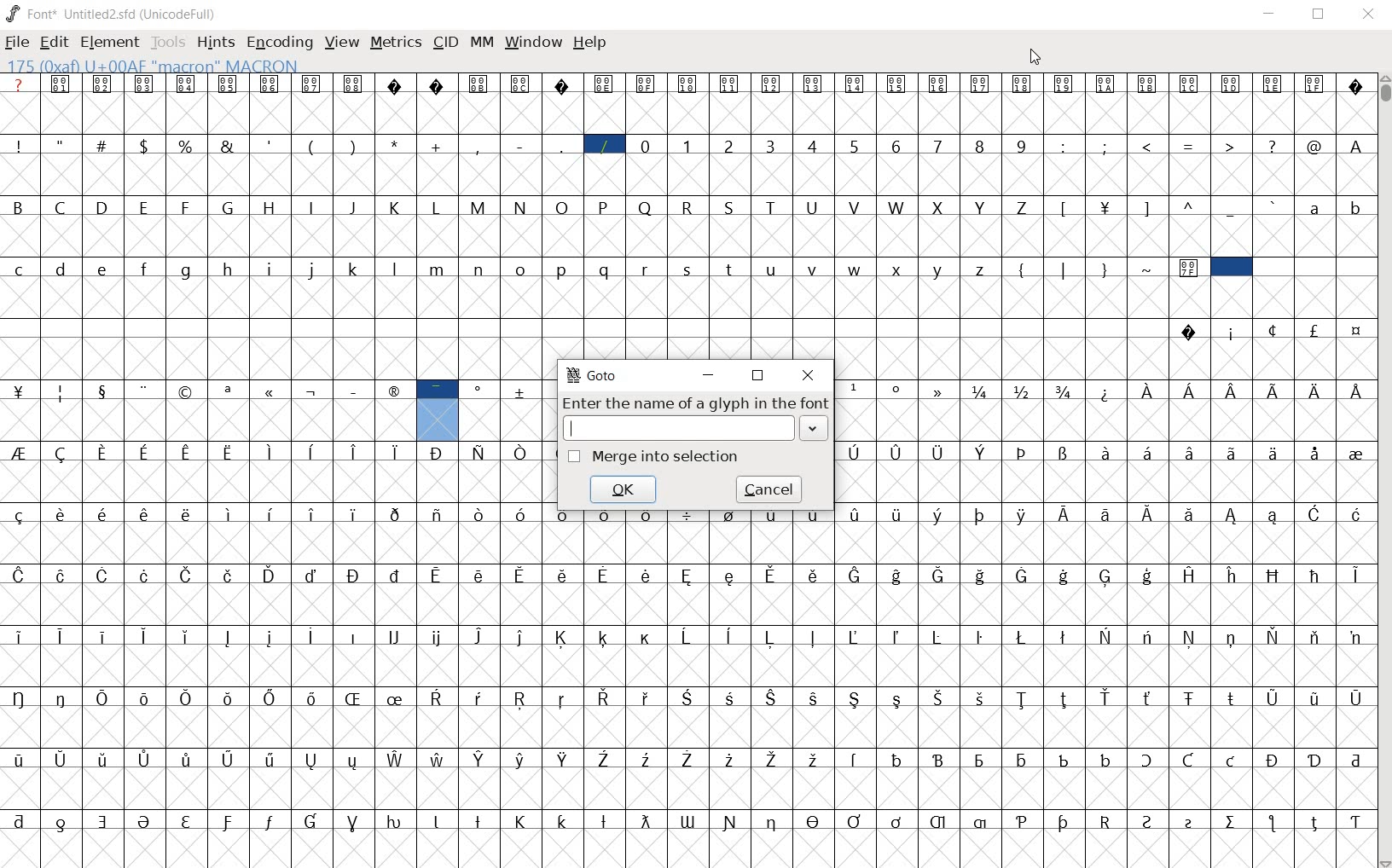 The image size is (1392, 868). Describe the element at coordinates (594, 376) in the screenshot. I see `GoTo` at that location.